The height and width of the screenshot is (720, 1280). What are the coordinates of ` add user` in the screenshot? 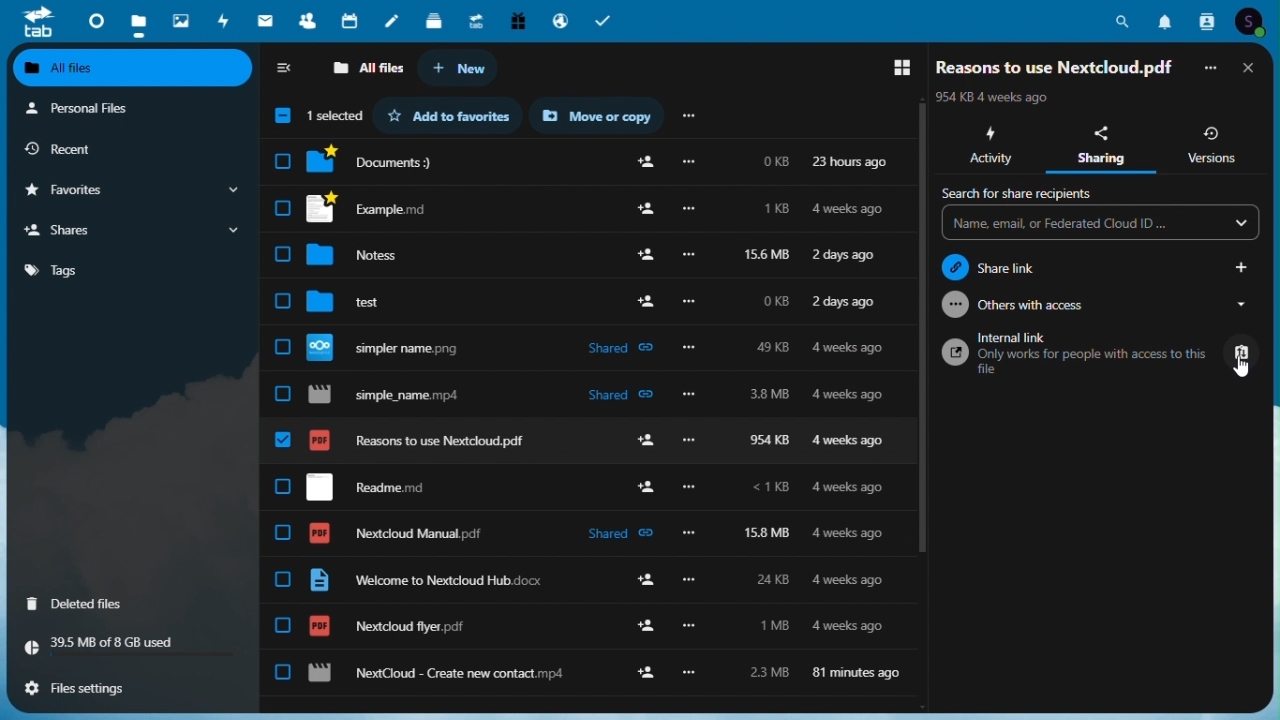 It's located at (644, 252).